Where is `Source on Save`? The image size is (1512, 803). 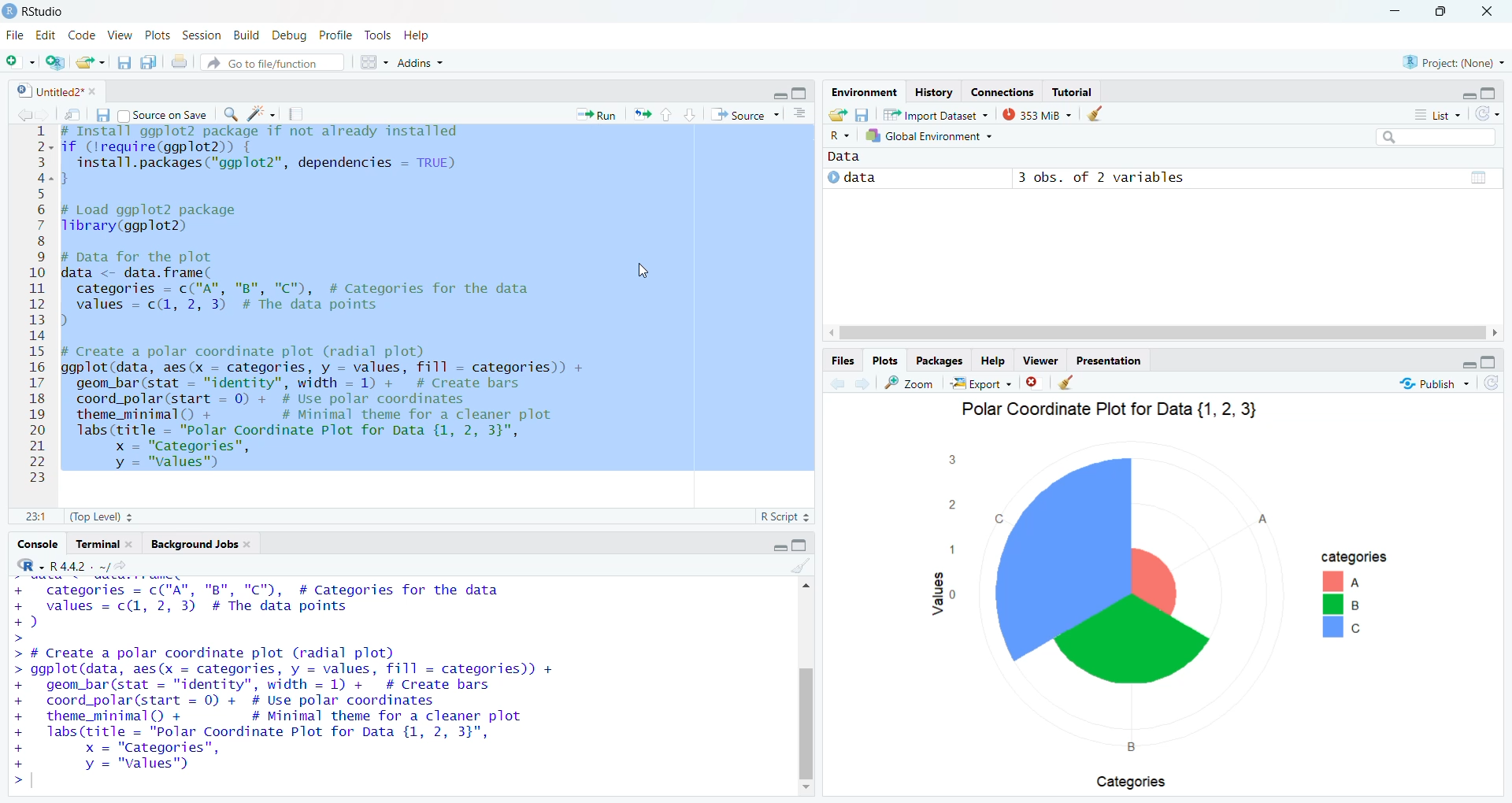
Source on Save is located at coordinates (164, 116).